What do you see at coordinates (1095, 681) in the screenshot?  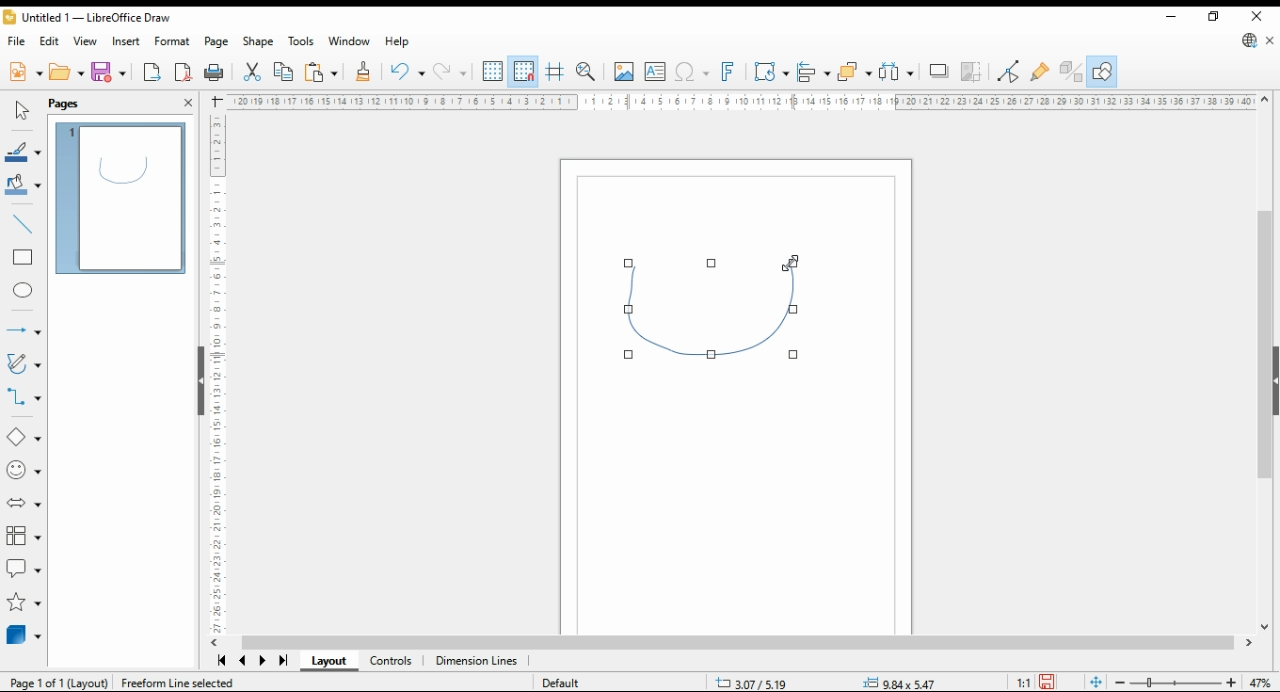 I see `fit page to window` at bounding box center [1095, 681].